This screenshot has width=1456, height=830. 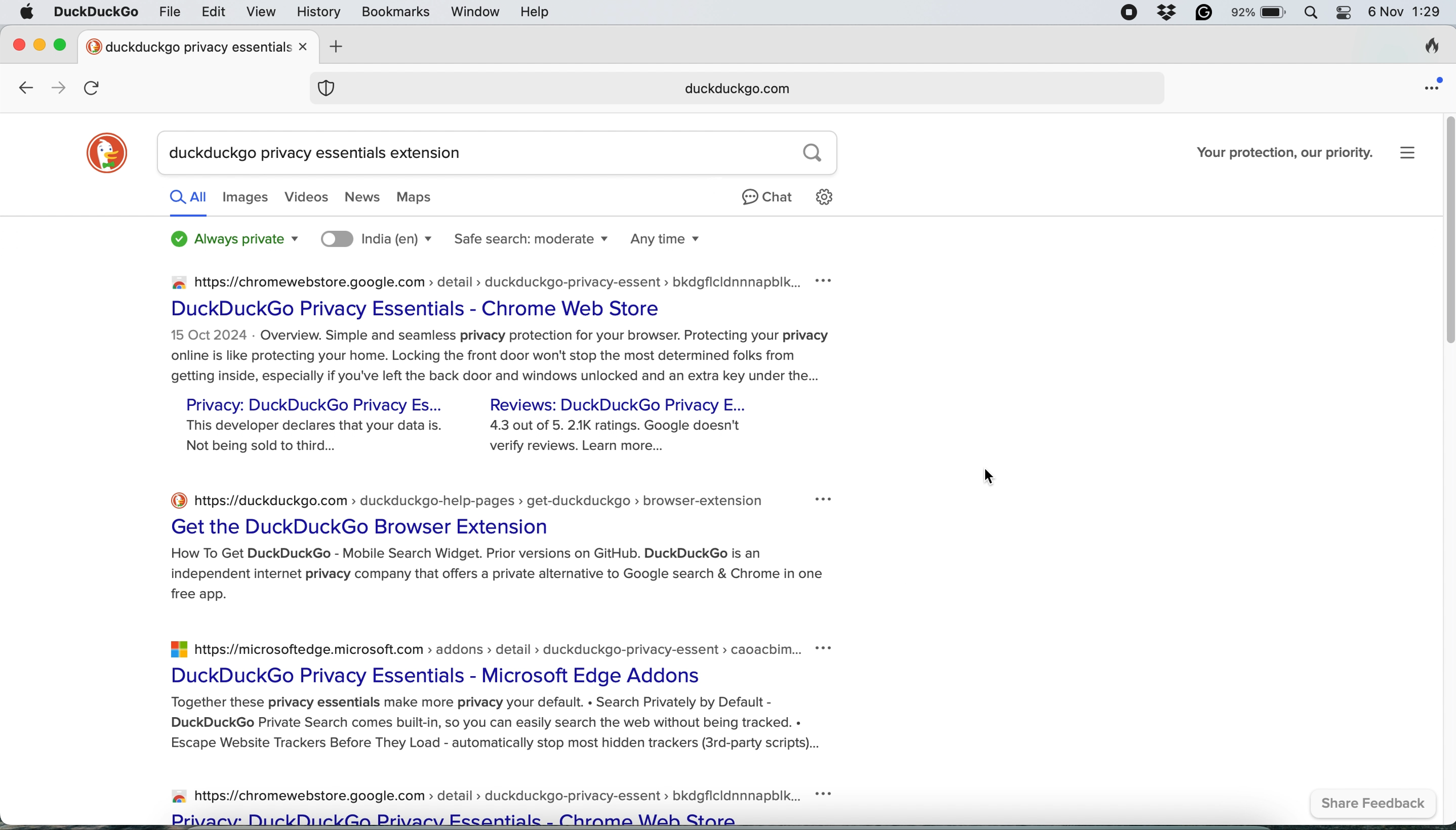 I want to click on Reviews: DuckDuckGo Privacy E..., so click(x=623, y=404).